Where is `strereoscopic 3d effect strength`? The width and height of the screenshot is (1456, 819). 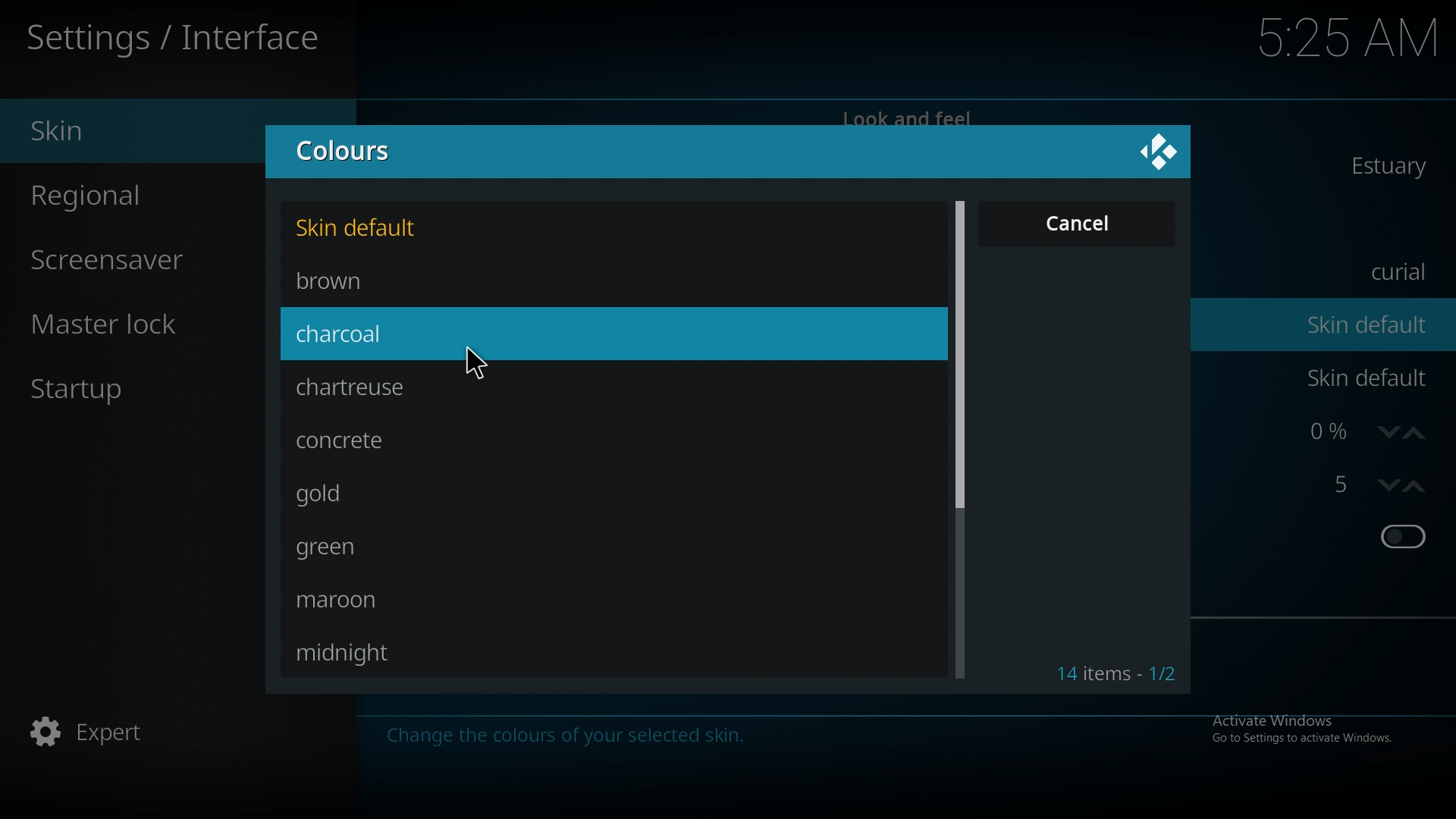
strereoscopic 3d effect strength is located at coordinates (1336, 488).